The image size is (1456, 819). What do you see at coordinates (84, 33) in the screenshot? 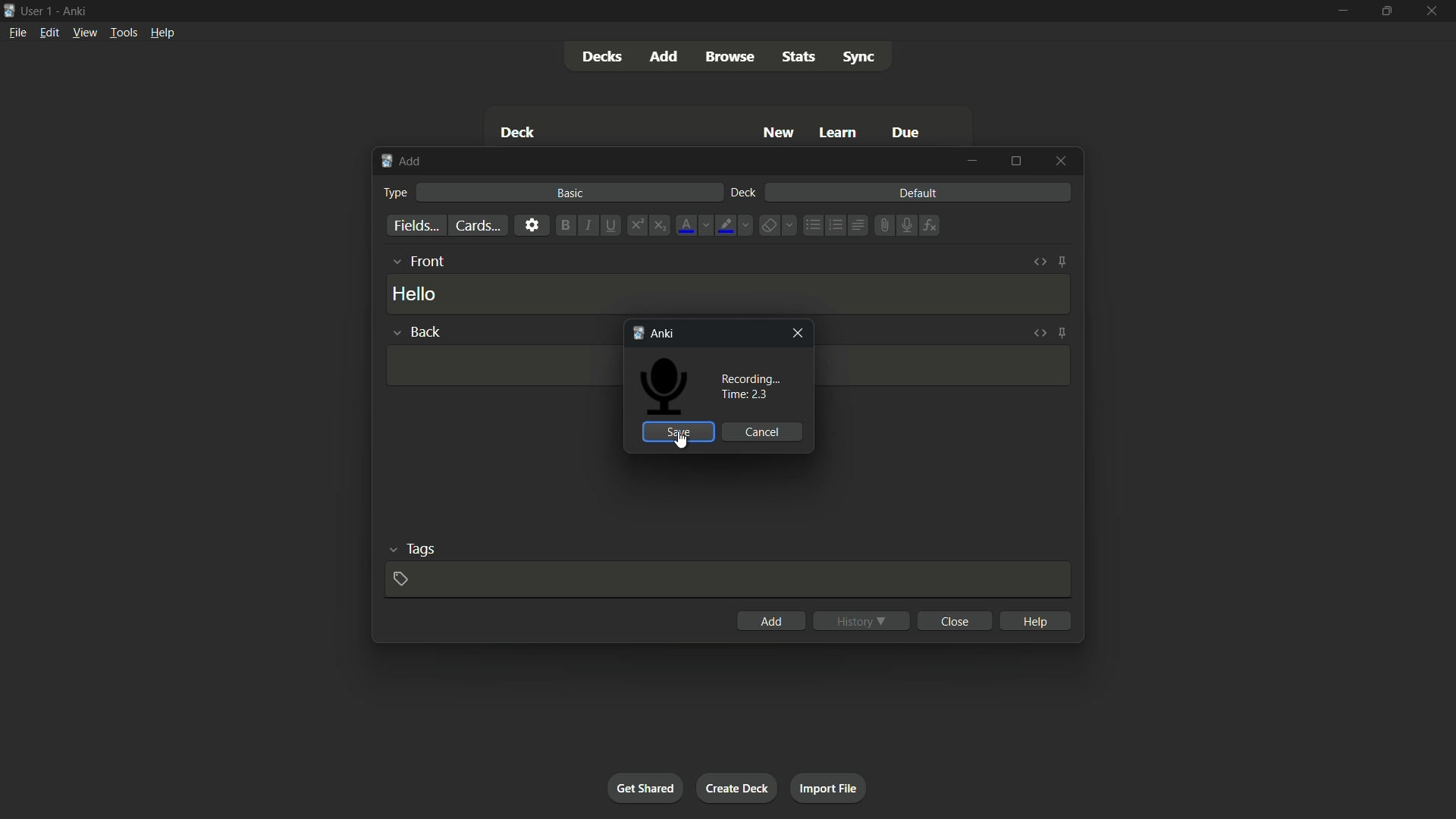
I see `view menu` at bounding box center [84, 33].